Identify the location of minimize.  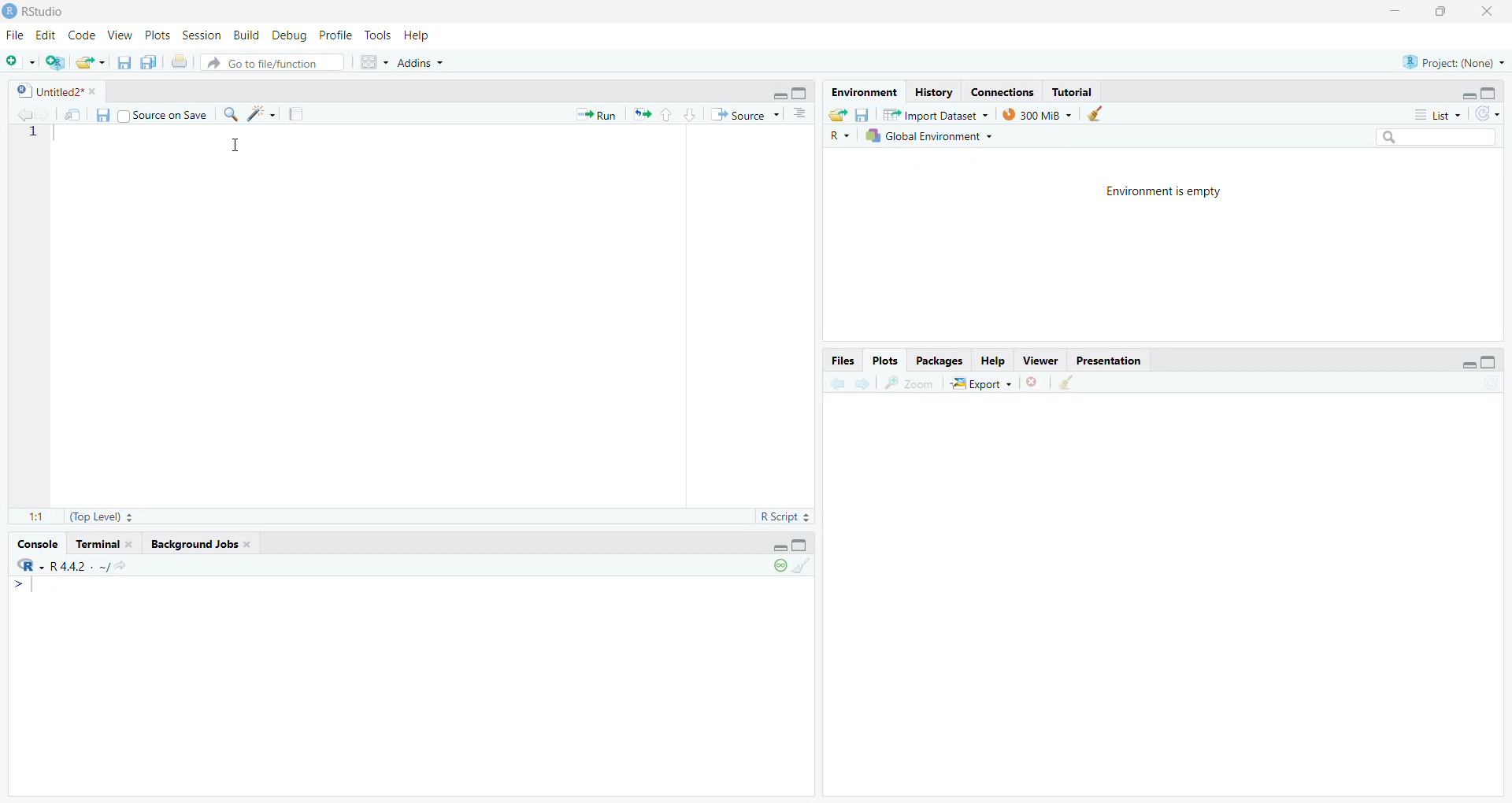
(1398, 13).